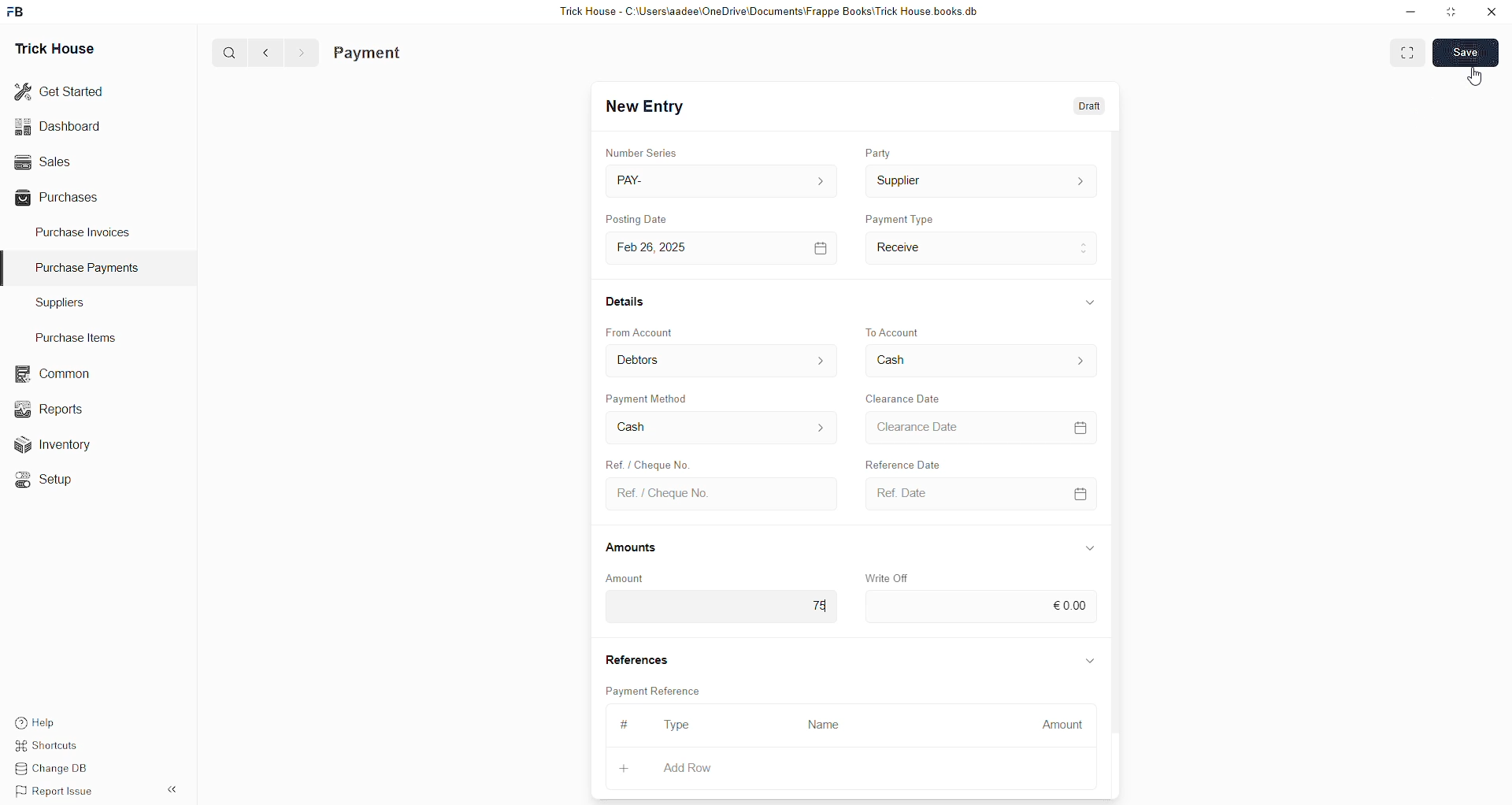 The image size is (1512, 805). Describe the element at coordinates (1085, 109) in the screenshot. I see `Draft` at that location.